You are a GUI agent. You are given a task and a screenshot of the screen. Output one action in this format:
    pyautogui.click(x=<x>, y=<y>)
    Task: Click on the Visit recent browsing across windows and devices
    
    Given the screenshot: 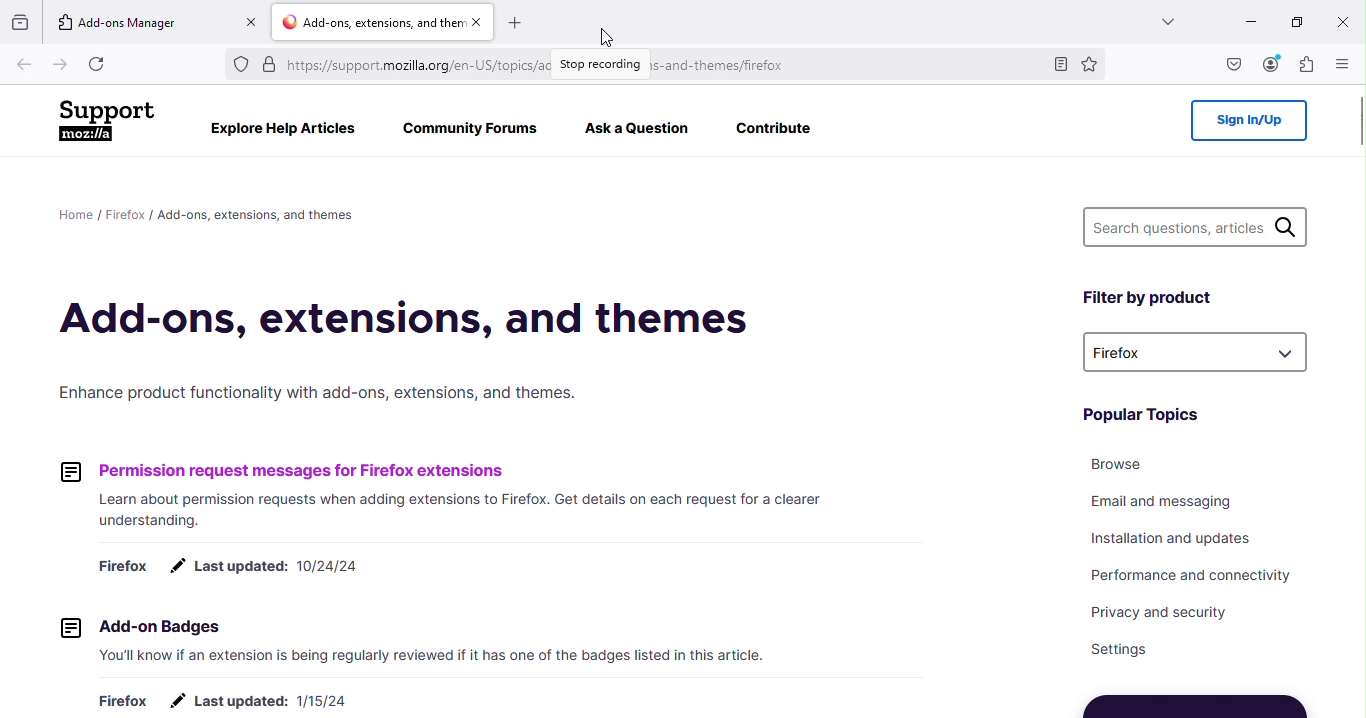 What is the action you would take?
    pyautogui.click(x=24, y=20)
    